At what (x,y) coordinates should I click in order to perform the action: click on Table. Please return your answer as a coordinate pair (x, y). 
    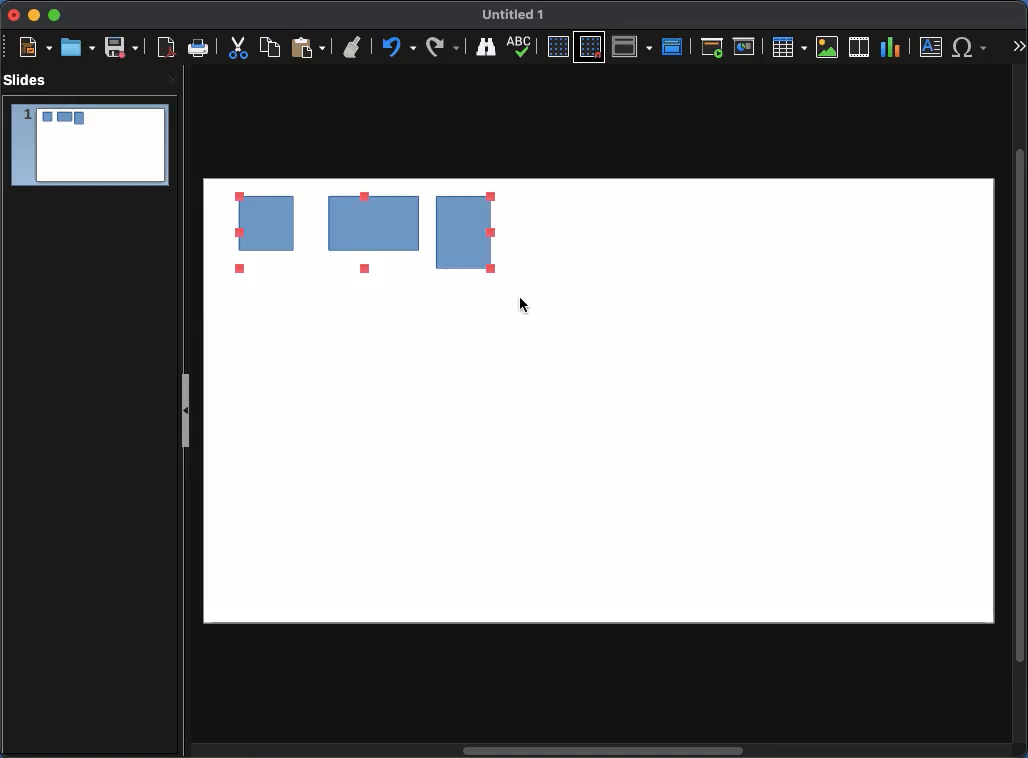
    Looking at the image, I should click on (790, 47).